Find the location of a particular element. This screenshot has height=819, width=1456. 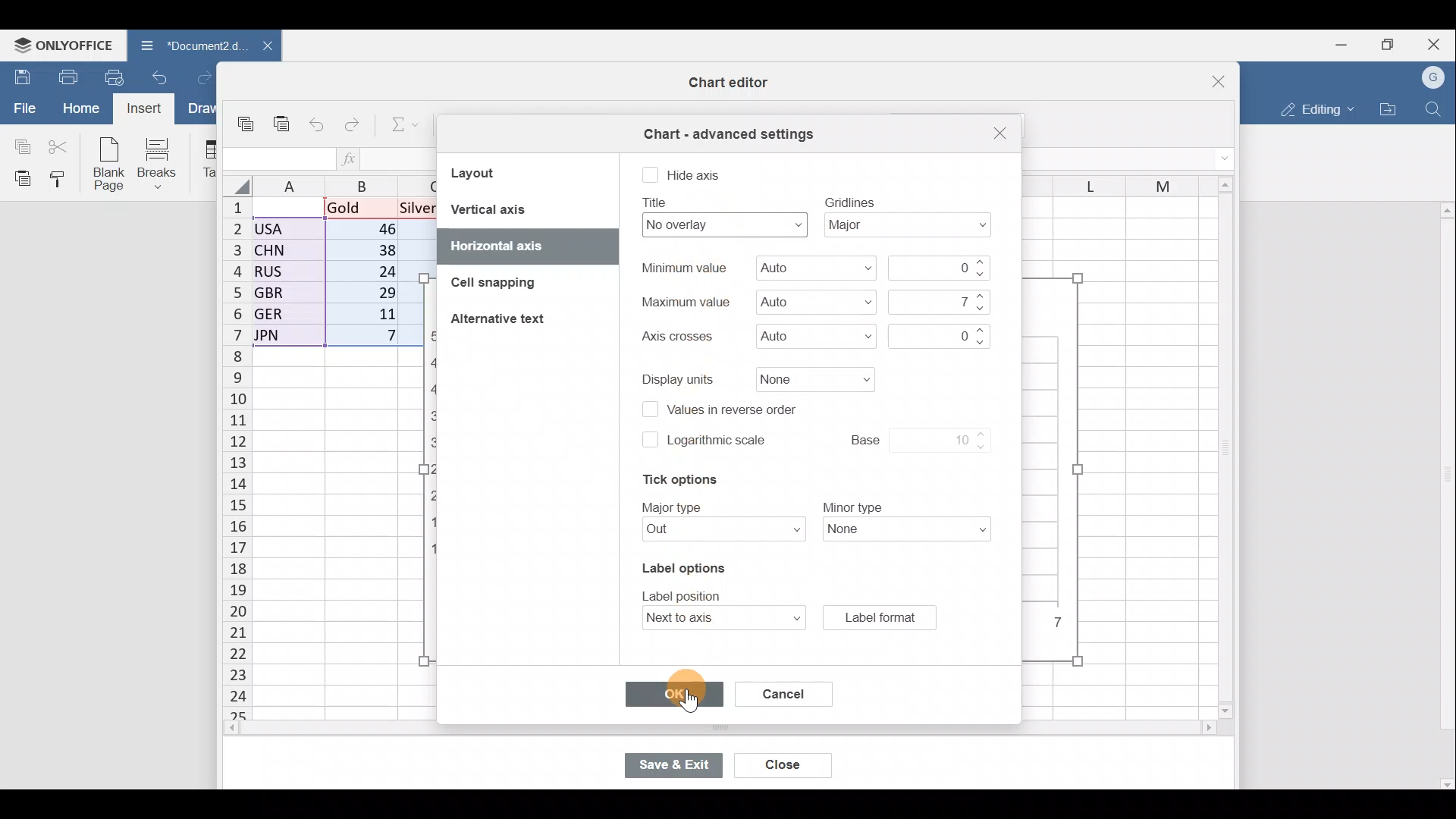

Logarithmic scale is located at coordinates (720, 444).